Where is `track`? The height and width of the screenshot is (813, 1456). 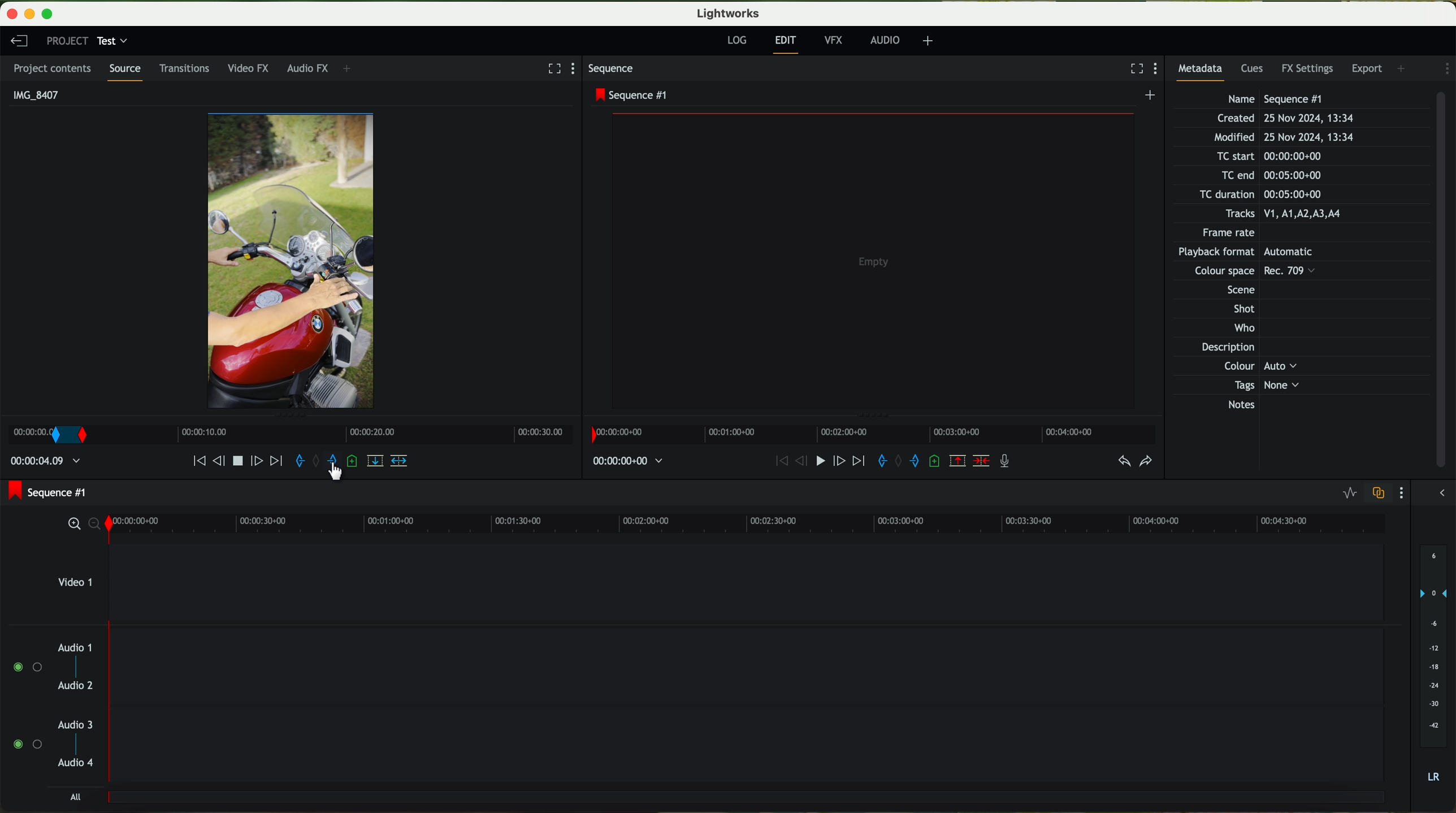 track is located at coordinates (749, 746).